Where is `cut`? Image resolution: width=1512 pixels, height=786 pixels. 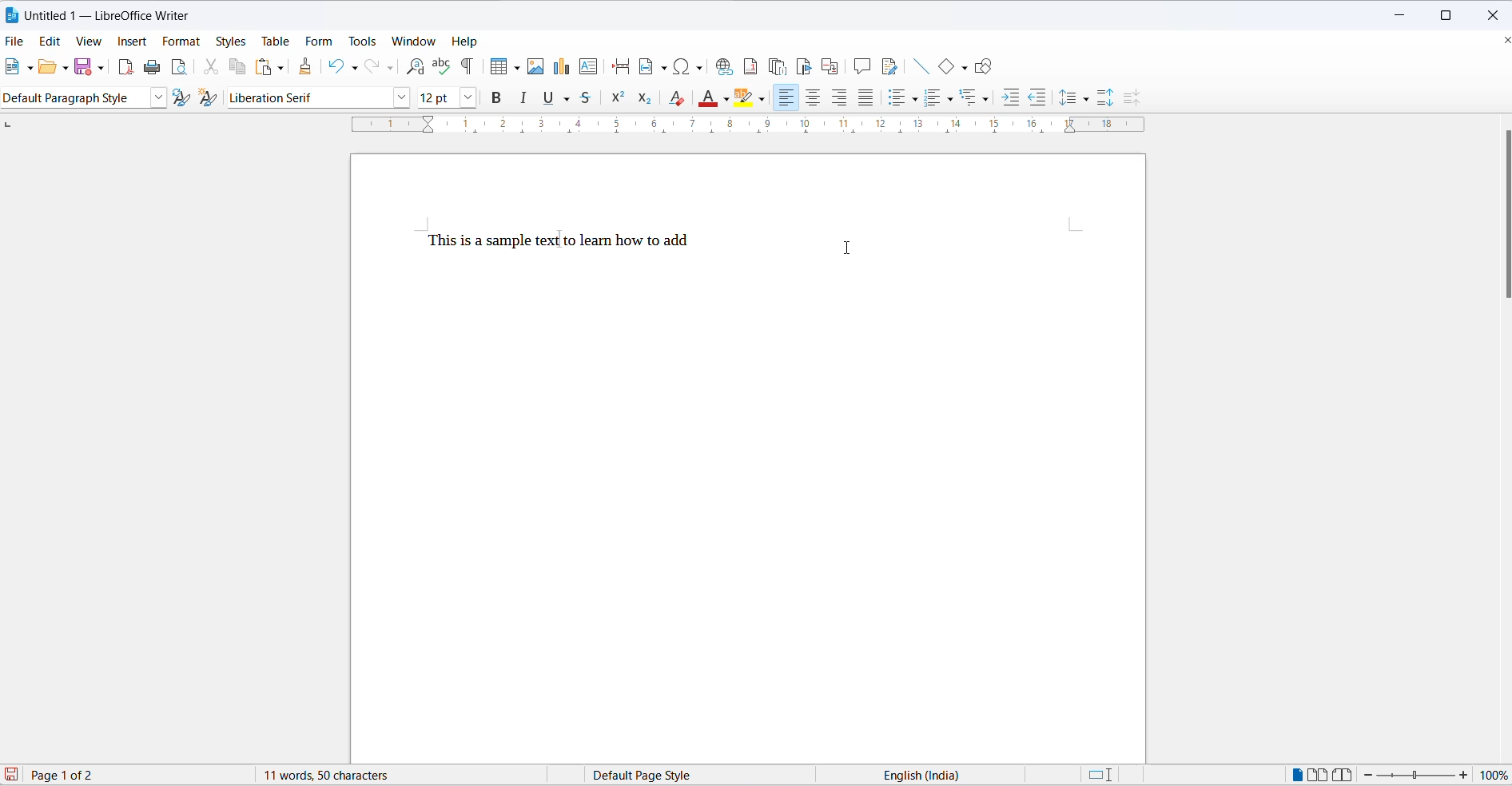 cut is located at coordinates (215, 67).